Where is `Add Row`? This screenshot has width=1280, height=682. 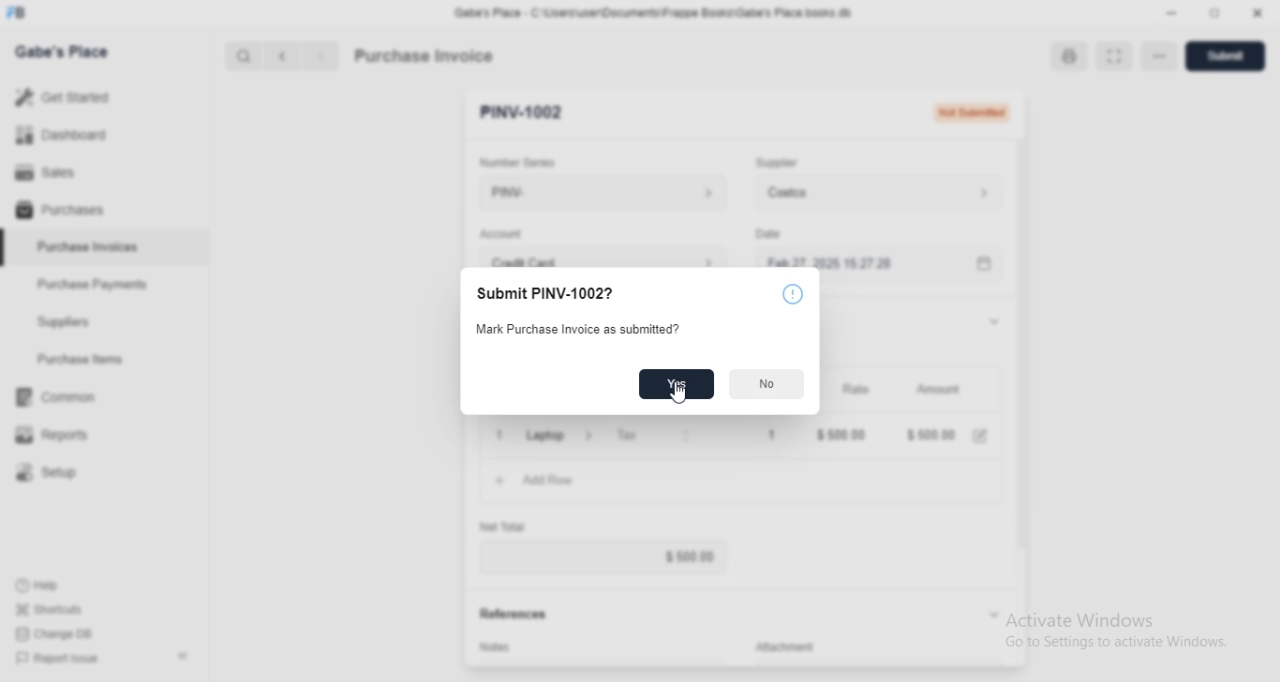 Add Row is located at coordinates (741, 481).